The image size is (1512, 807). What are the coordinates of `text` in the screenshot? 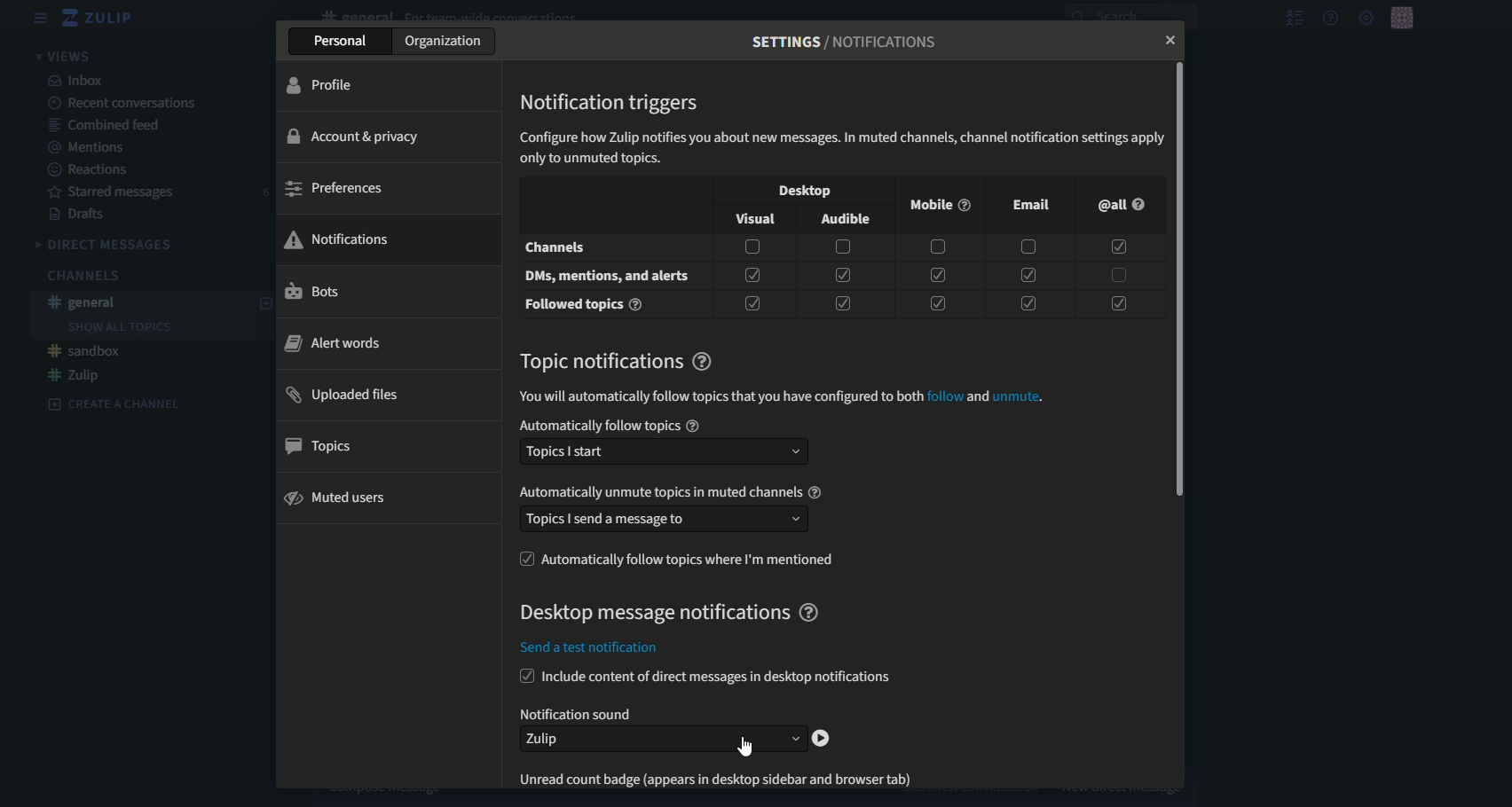 It's located at (671, 611).